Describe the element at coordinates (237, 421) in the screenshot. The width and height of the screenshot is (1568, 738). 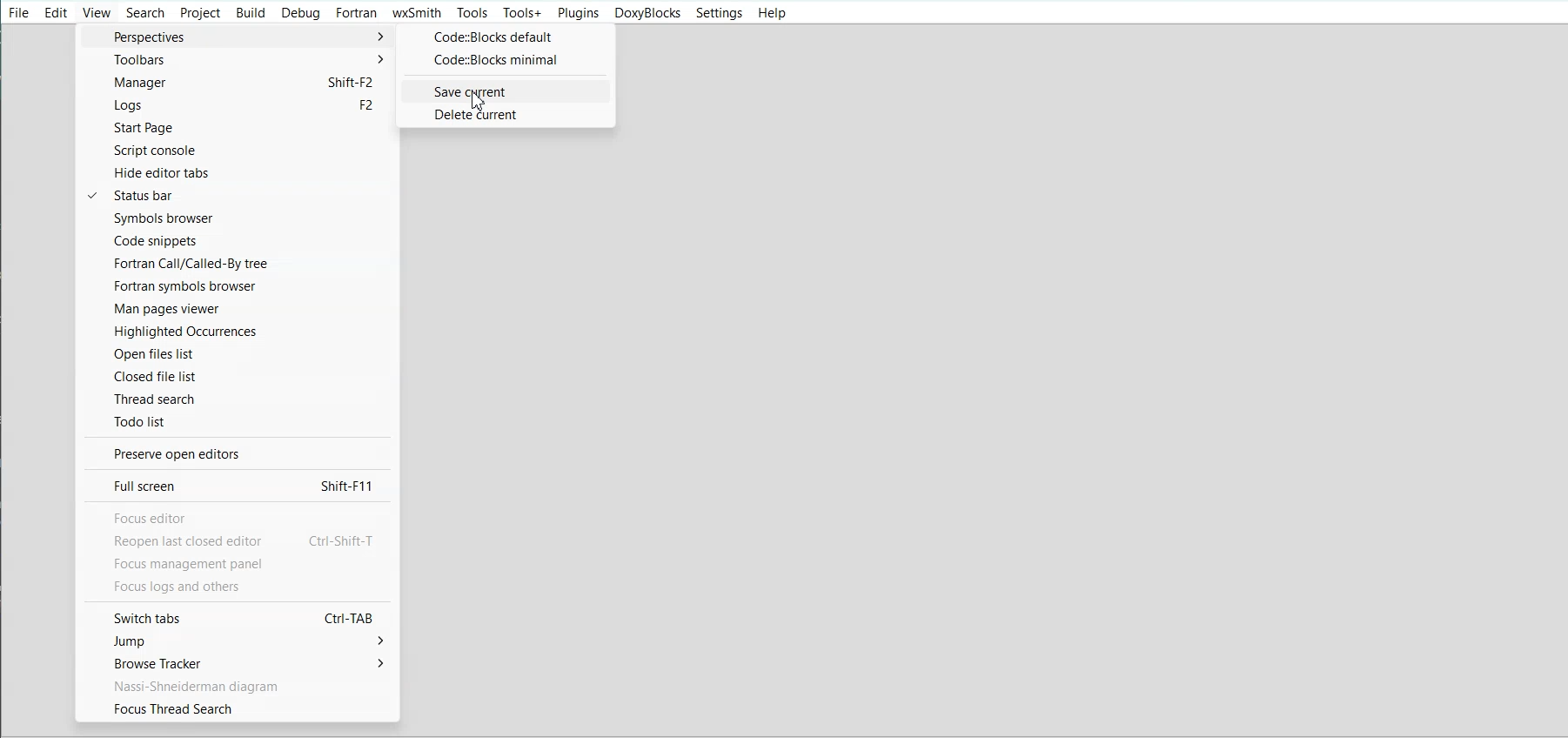
I see `Todo list` at that location.